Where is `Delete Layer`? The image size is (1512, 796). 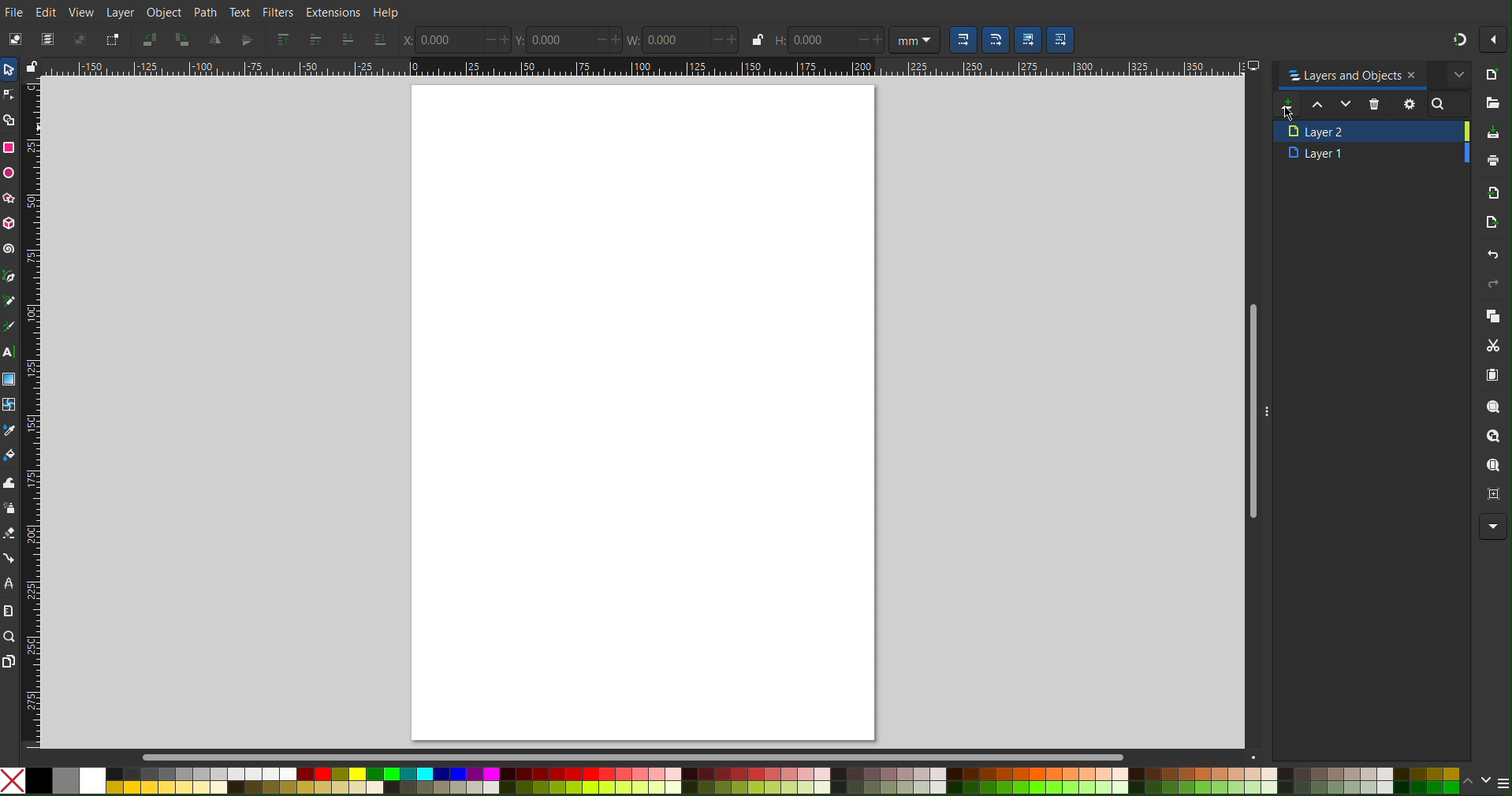
Delete Layer is located at coordinates (1376, 105).